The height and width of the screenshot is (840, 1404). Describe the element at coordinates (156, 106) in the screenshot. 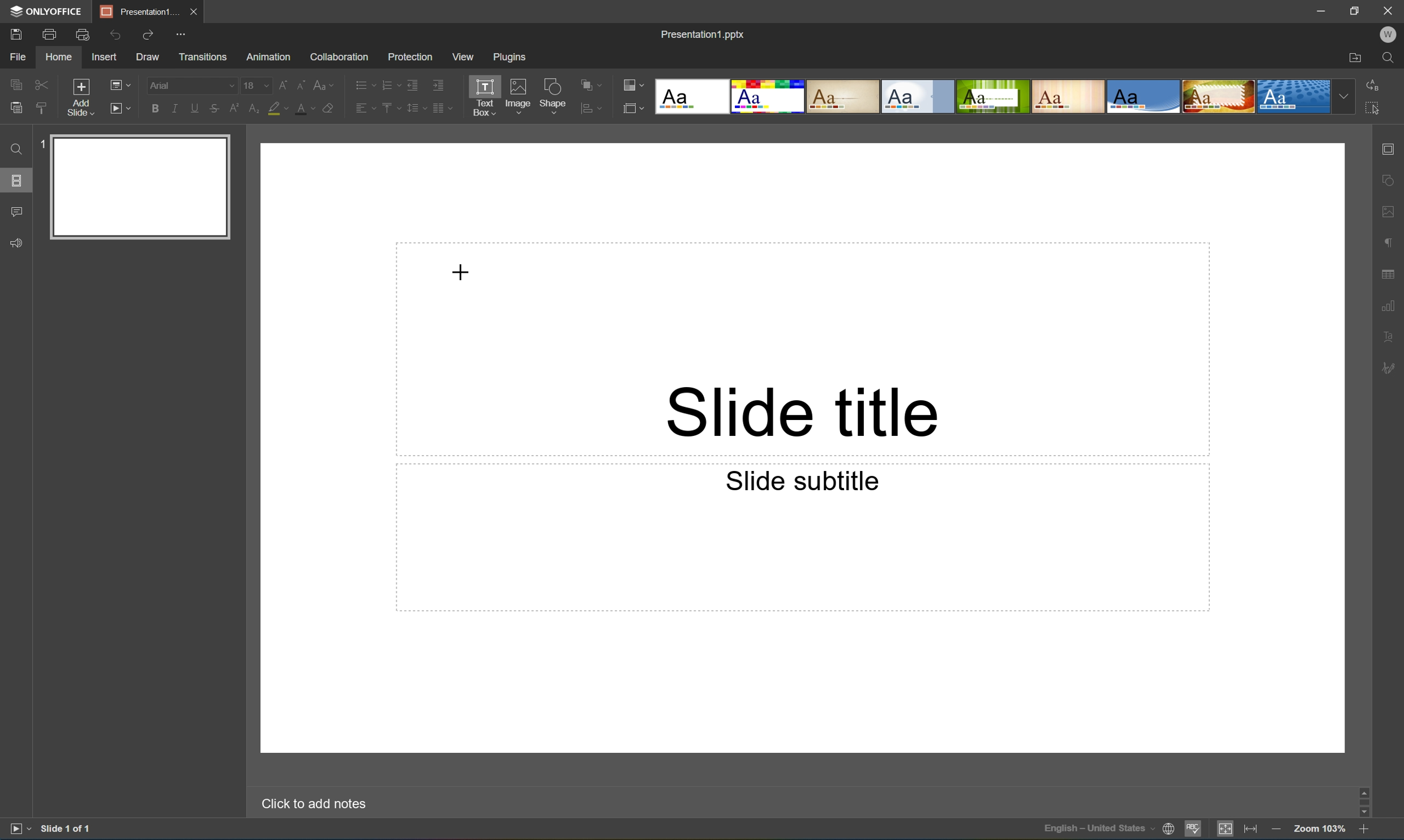

I see `Bold` at that location.